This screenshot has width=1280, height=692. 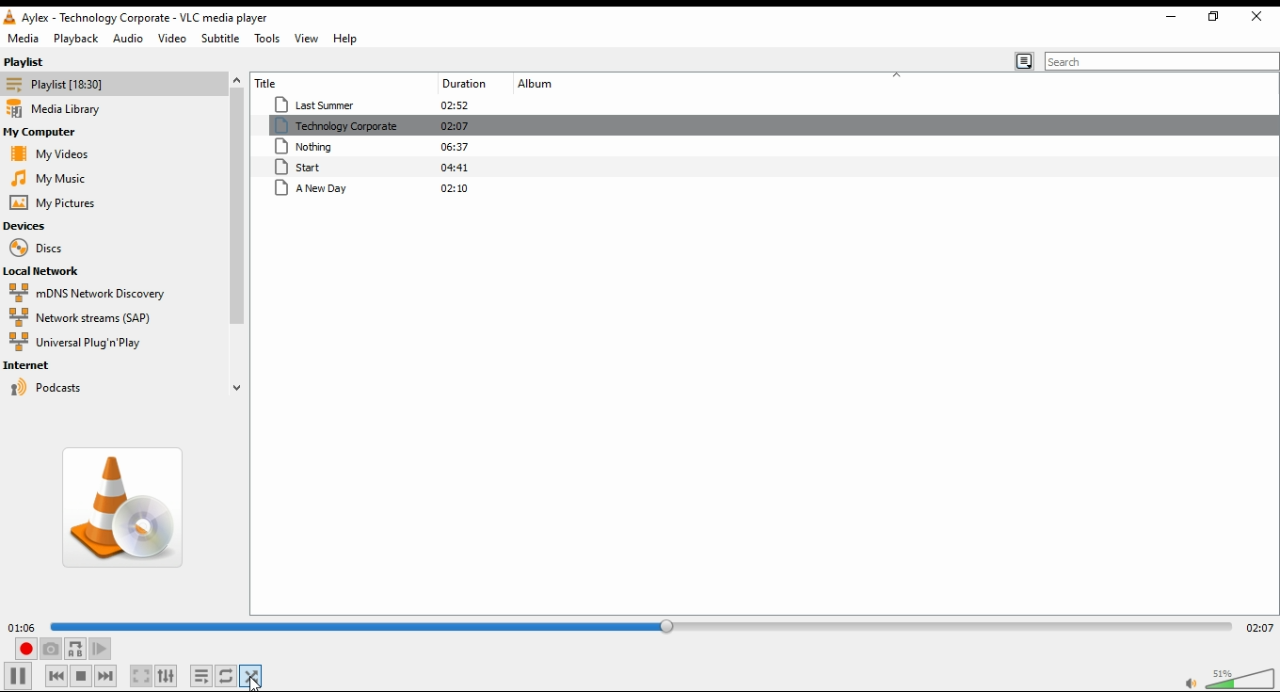 What do you see at coordinates (39, 249) in the screenshot?
I see `discs` at bounding box center [39, 249].